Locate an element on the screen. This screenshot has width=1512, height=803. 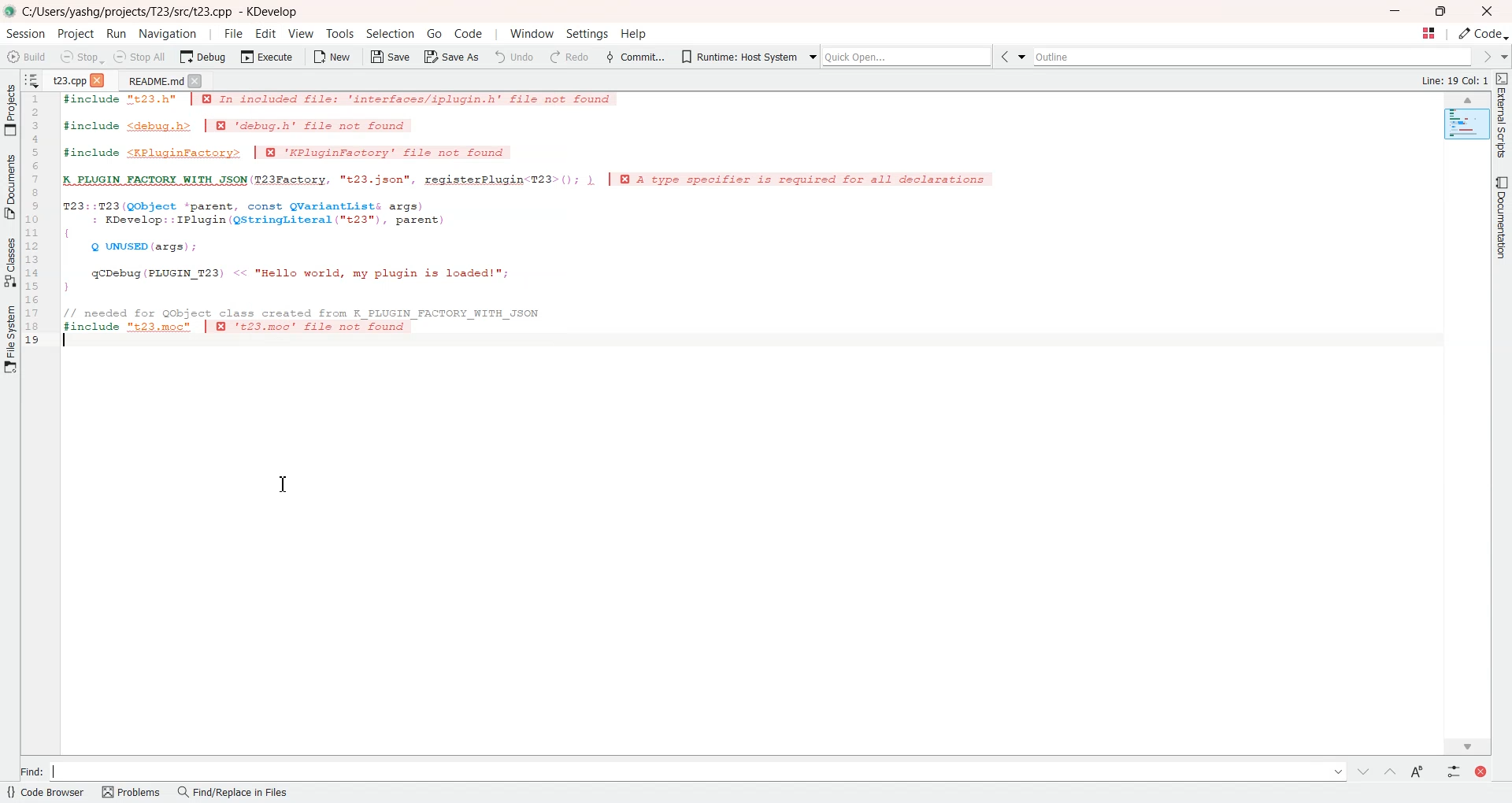
go is located at coordinates (434, 33).